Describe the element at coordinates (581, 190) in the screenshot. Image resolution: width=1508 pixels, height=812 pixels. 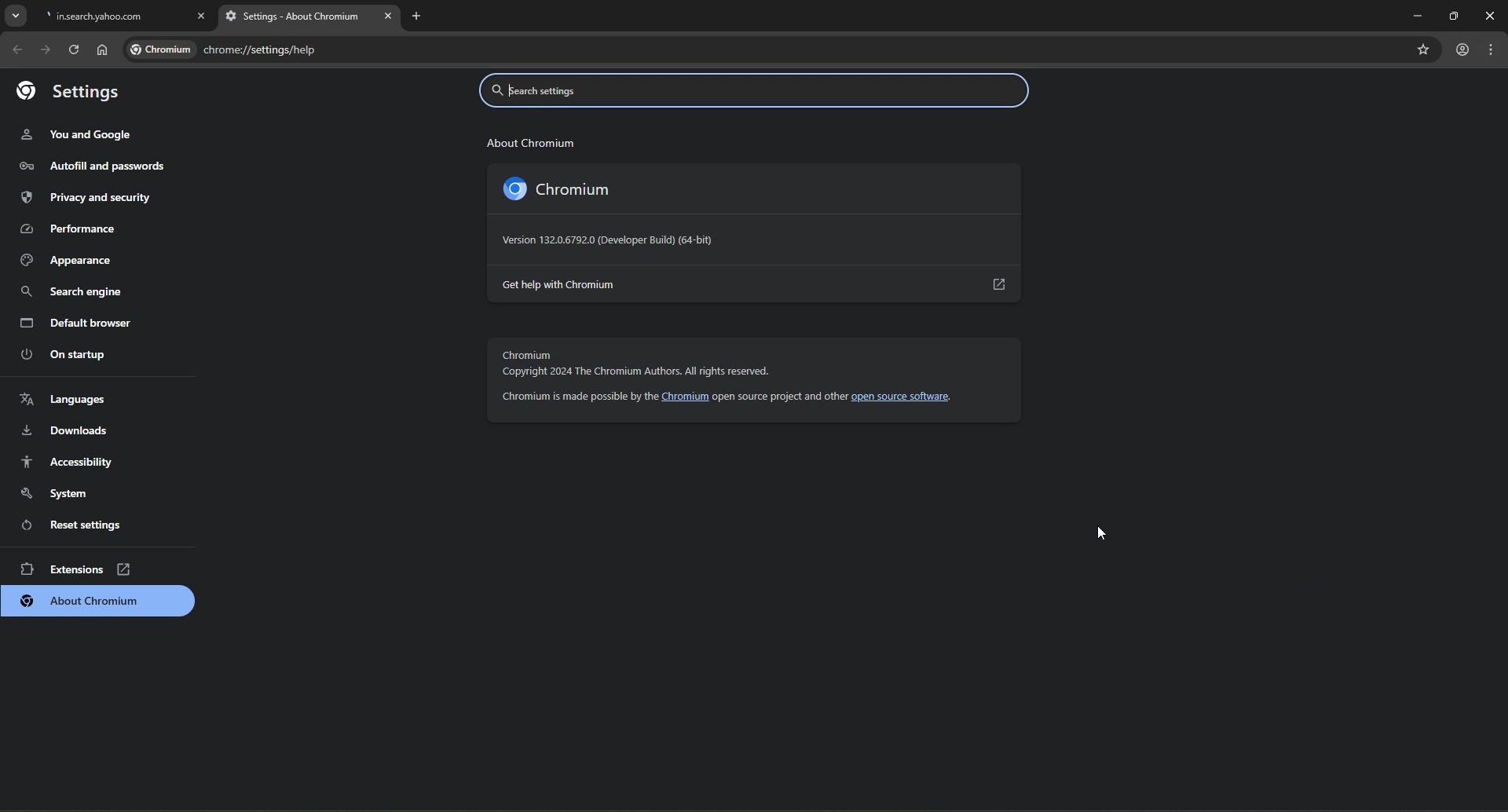
I see `chromium` at that location.